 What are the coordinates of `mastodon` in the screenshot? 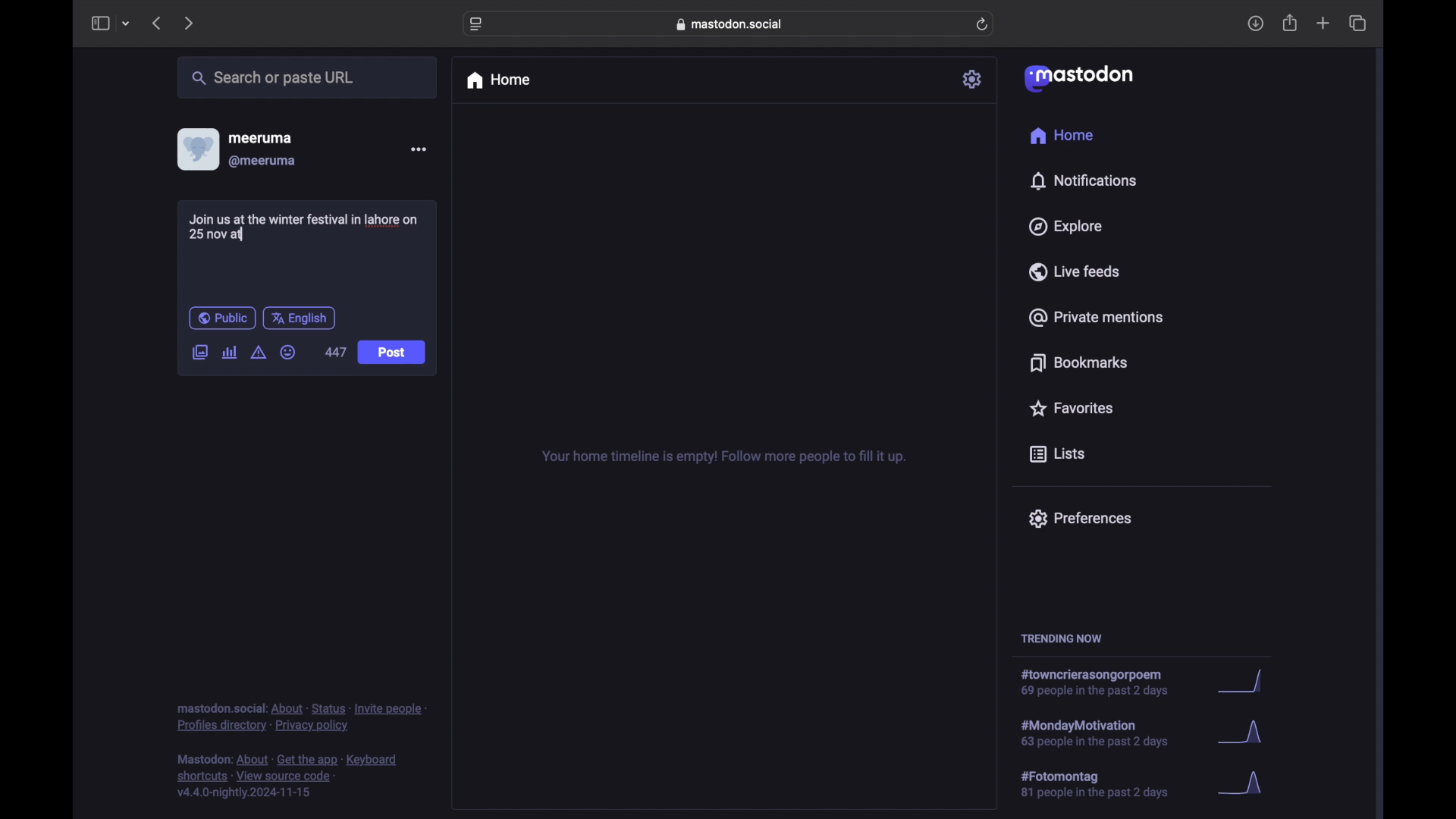 It's located at (1077, 77).